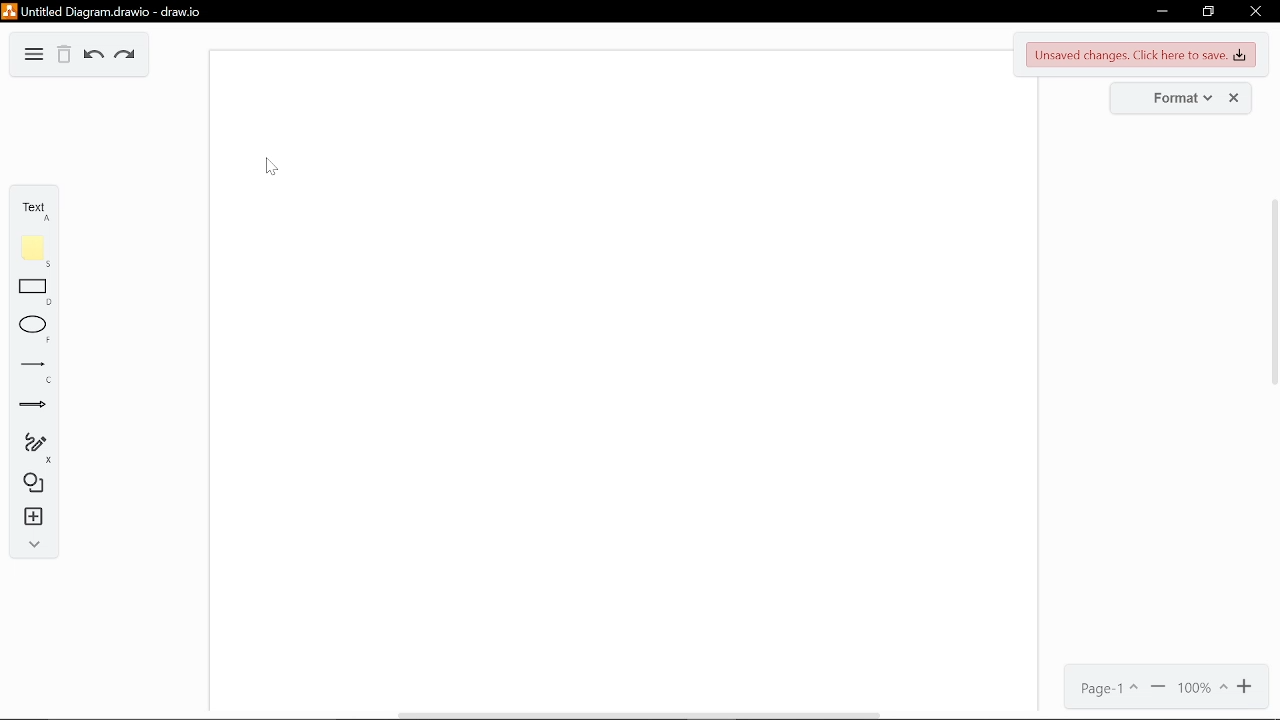 The image size is (1280, 720). What do you see at coordinates (93, 57) in the screenshot?
I see `undo` at bounding box center [93, 57].